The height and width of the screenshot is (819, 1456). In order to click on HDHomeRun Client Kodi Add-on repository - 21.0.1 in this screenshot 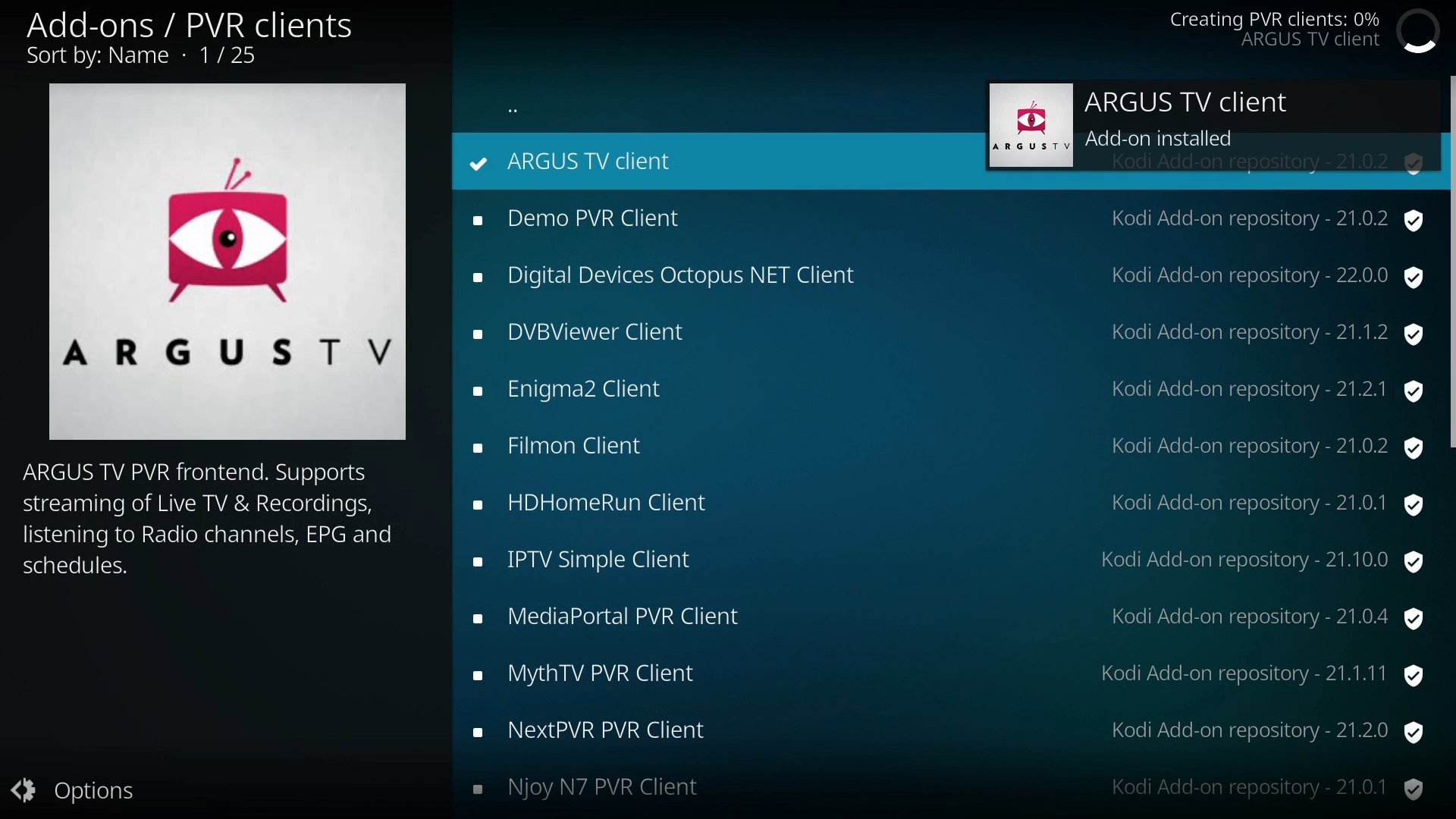, I will do `click(943, 505)`.